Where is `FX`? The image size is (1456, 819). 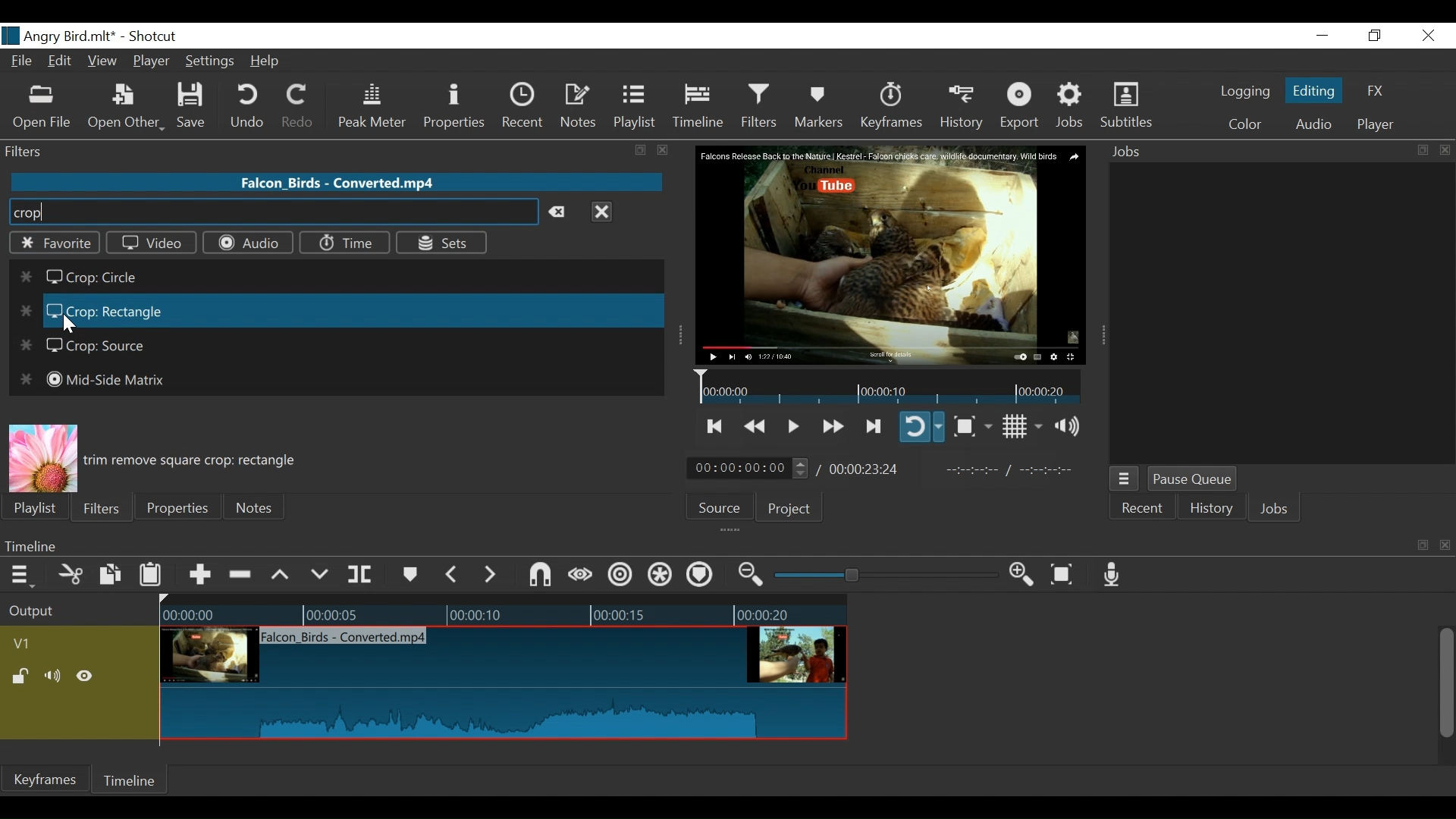 FX is located at coordinates (1373, 93).